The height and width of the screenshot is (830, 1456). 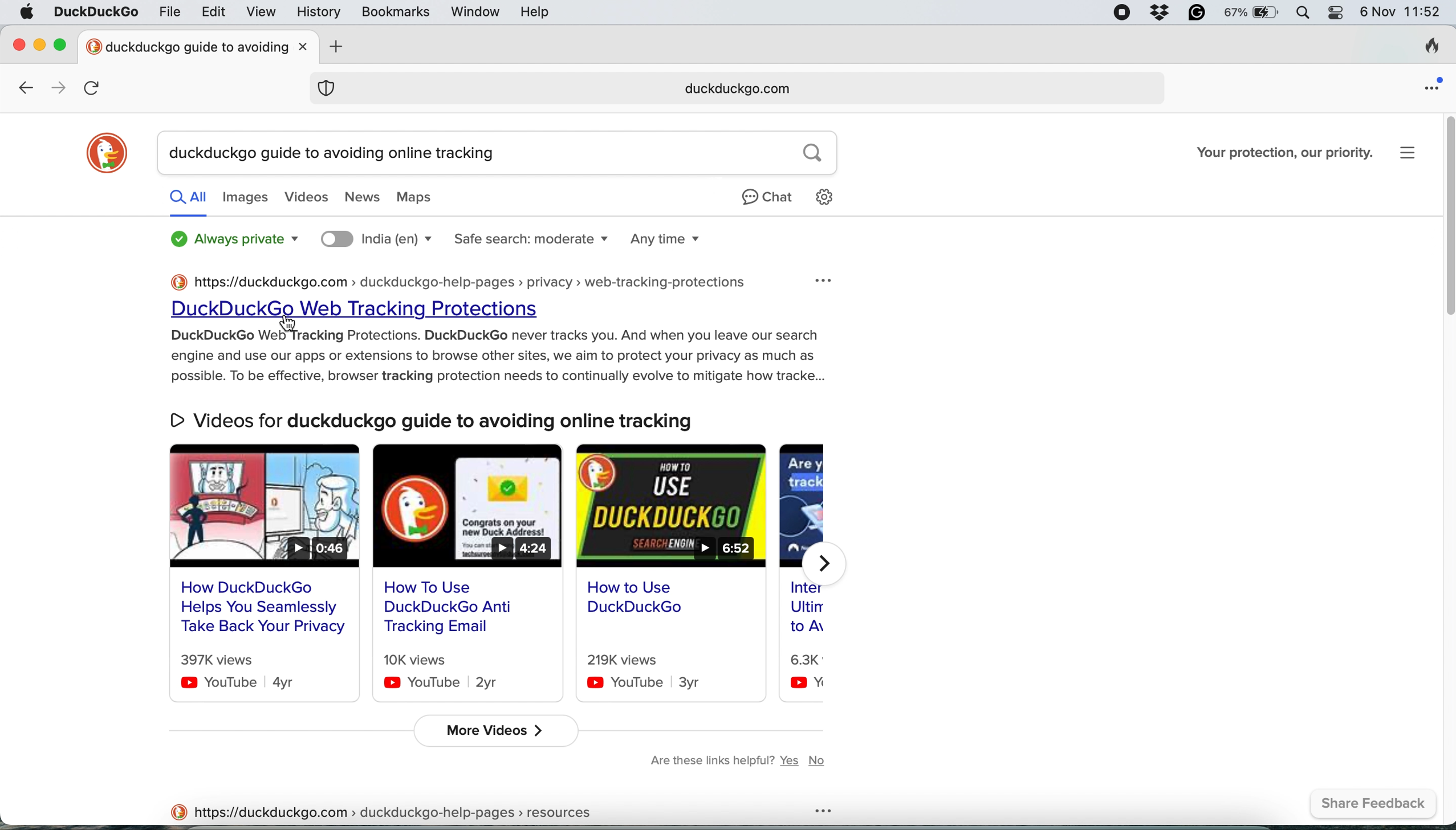 What do you see at coordinates (641, 600) in the screenshot?
I see `How to use duckduckgo` at bounding box center [641, 600].